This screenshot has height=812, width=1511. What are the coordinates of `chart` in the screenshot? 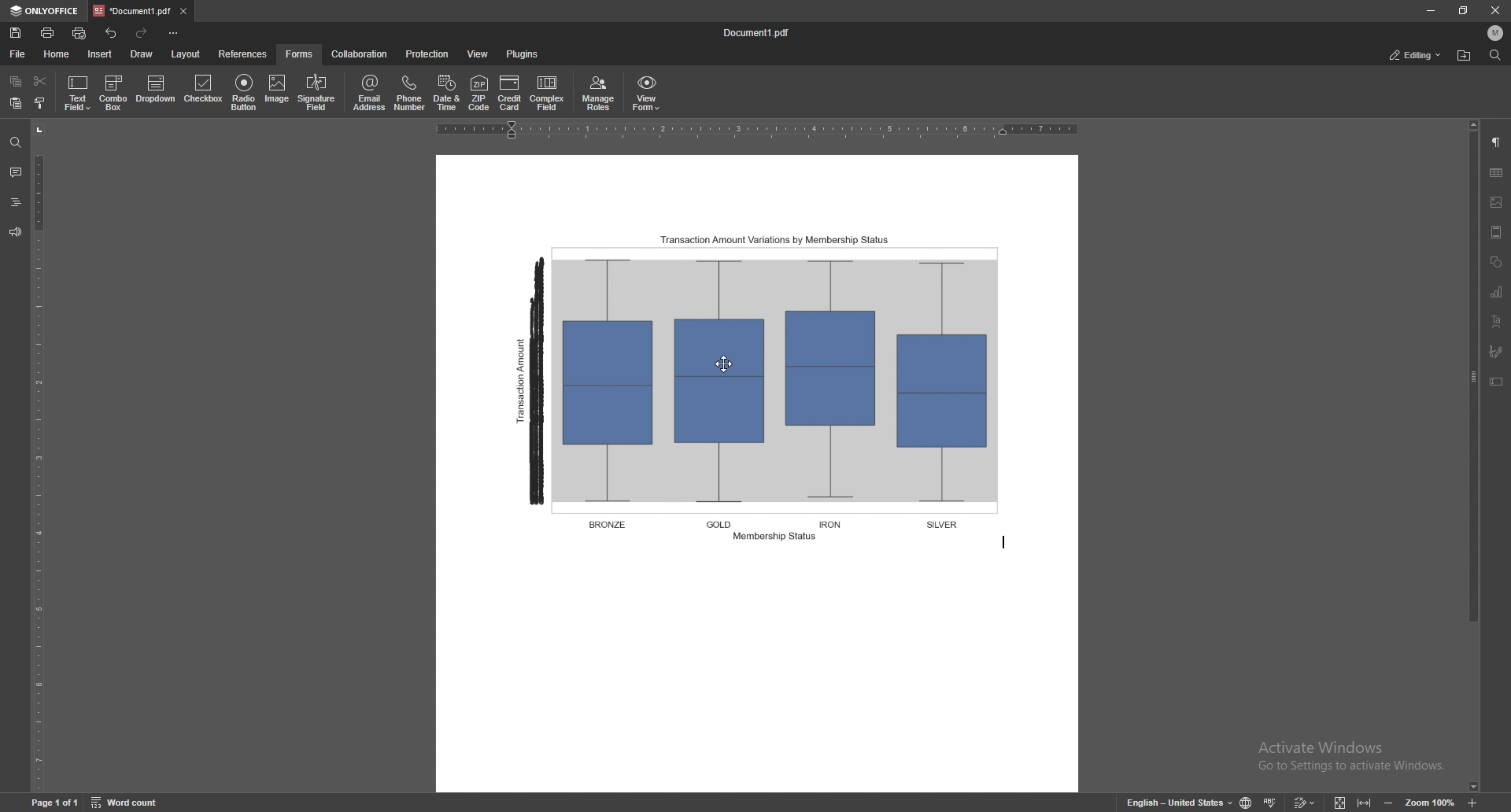 It's located at (1498, 291).